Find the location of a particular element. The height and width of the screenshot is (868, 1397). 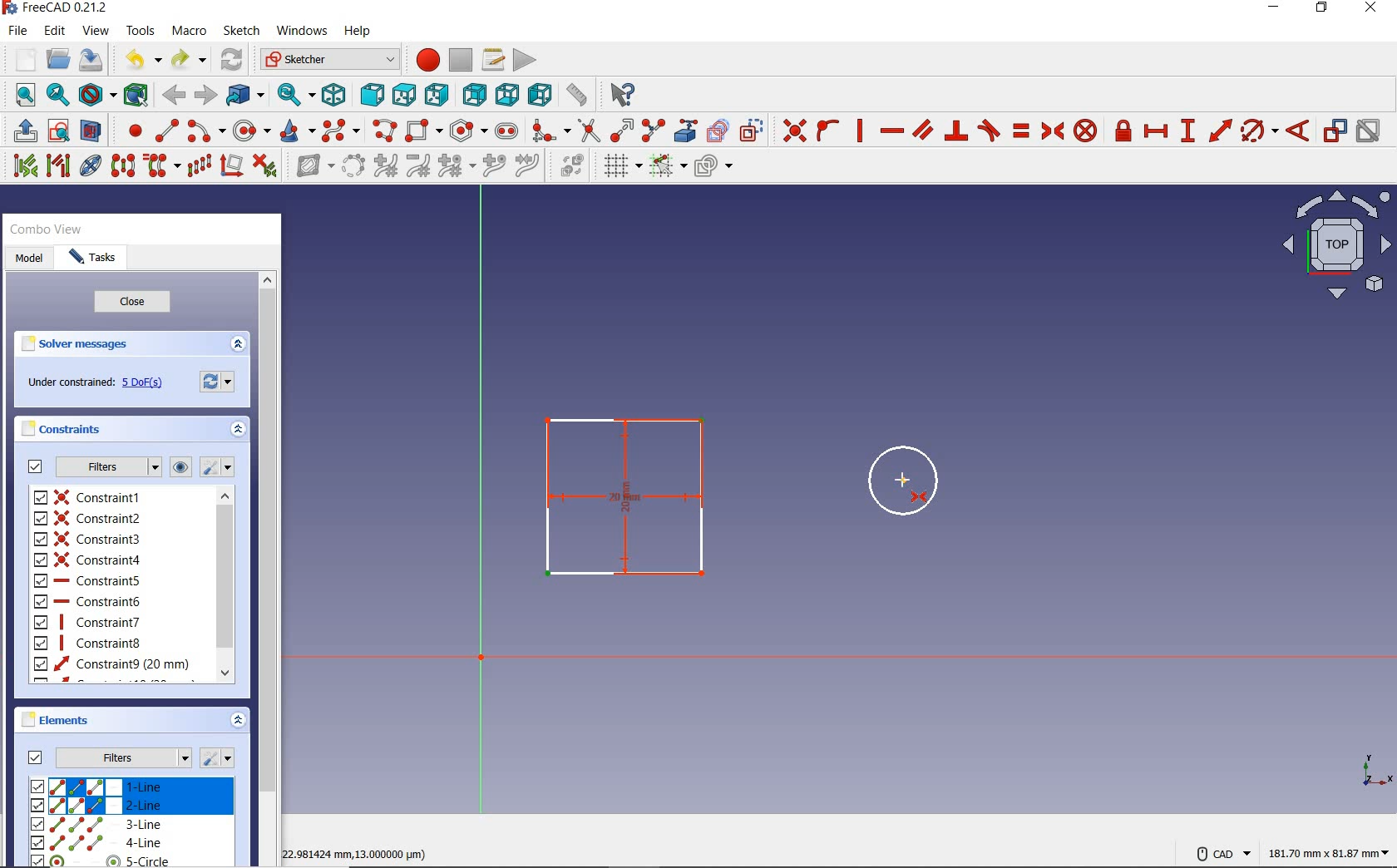

macros is located at coordinates (495, 60).